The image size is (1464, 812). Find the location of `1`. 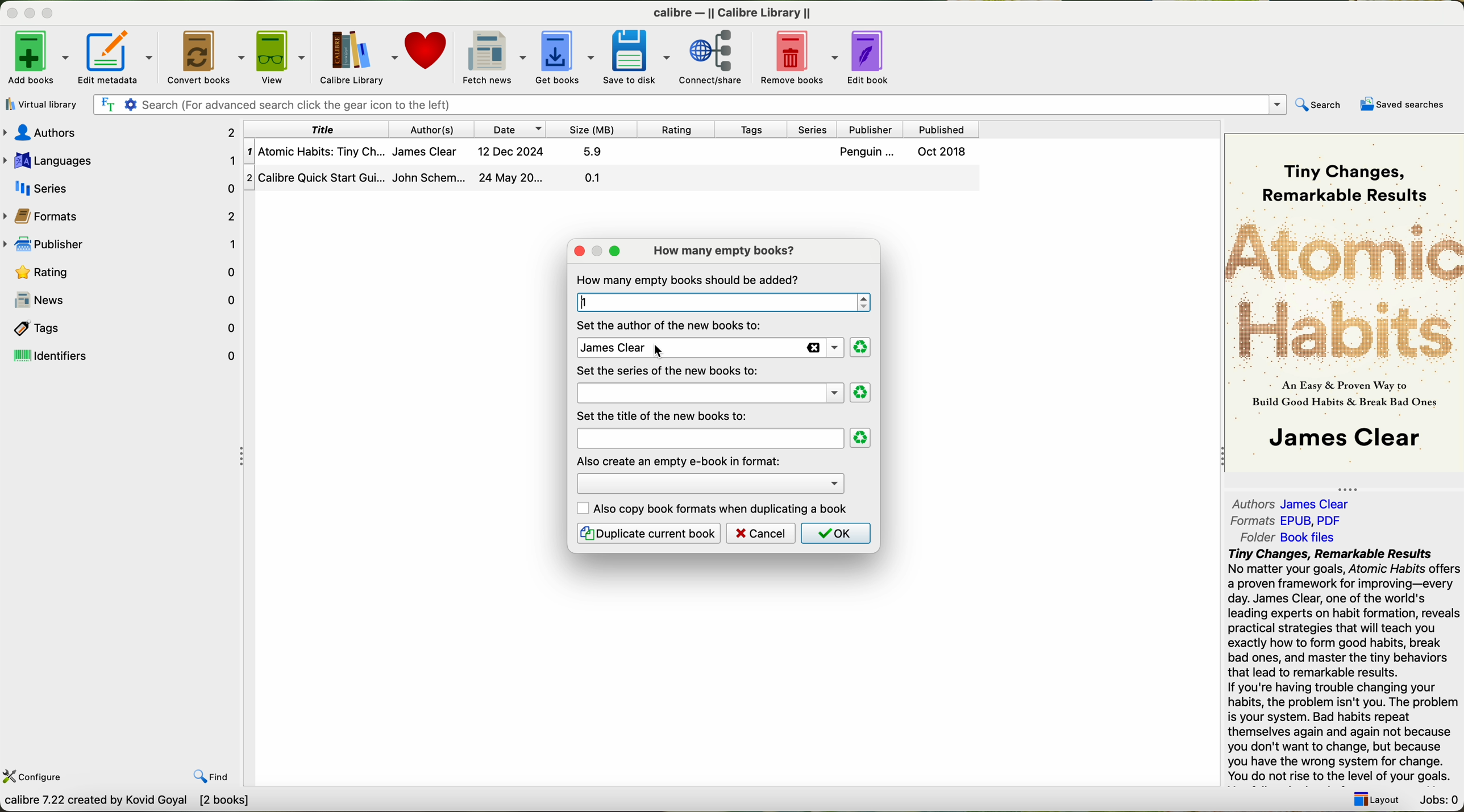

1 is located at coordinates (720, 302).